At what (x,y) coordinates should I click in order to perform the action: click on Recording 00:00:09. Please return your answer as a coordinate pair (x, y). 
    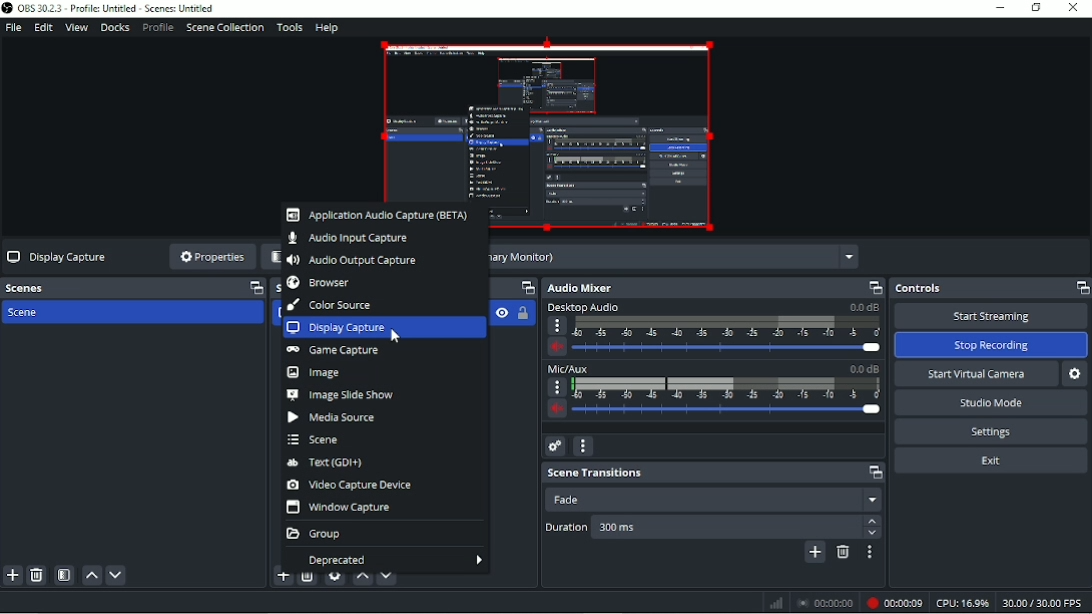
    Looking at the image, I should click on (894, 602).